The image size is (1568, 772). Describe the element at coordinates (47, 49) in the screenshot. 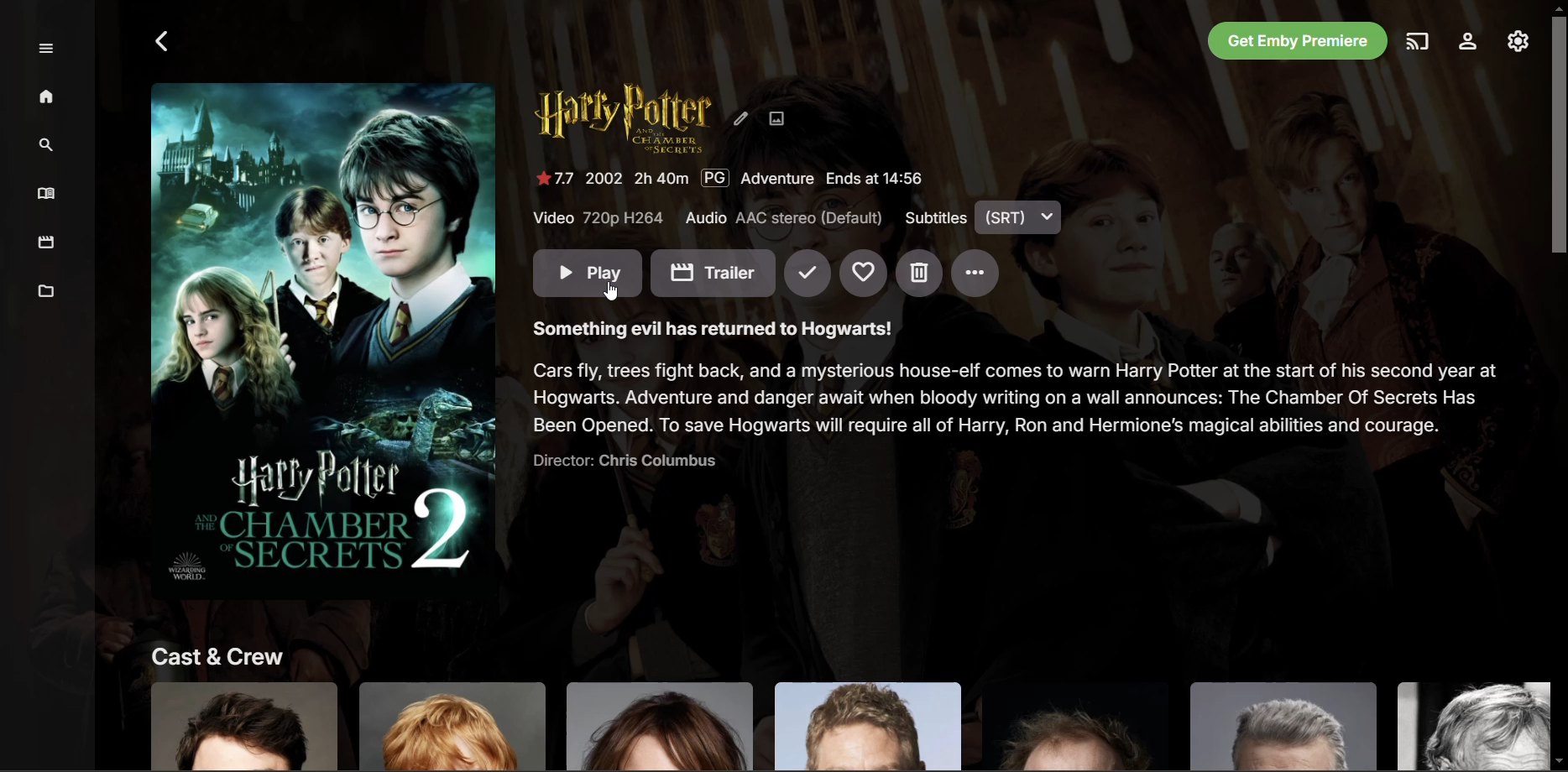

I see `Expand` at that location.